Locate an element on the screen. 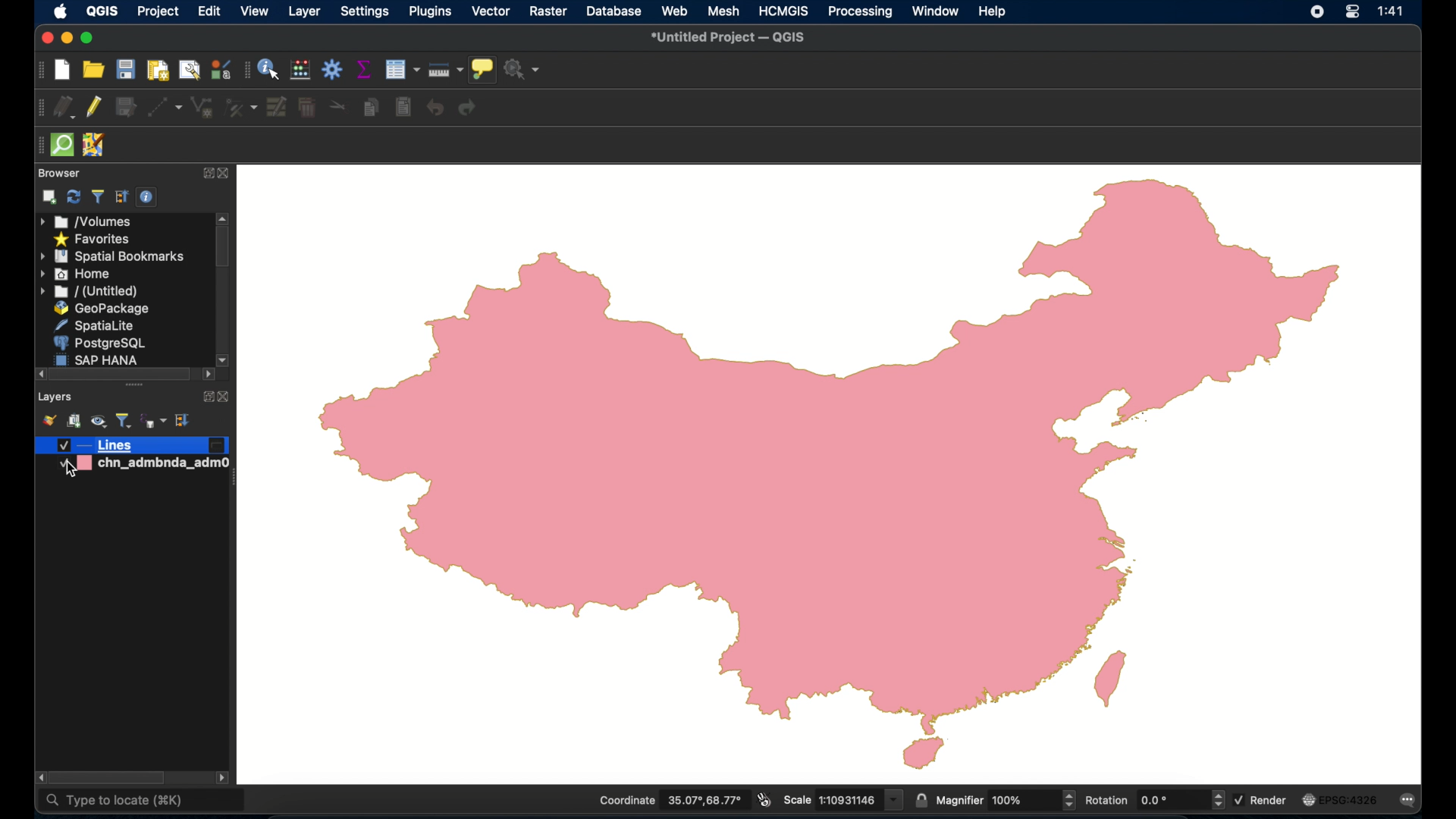 The image size is (1456, 819). geopackage is located at coordinates (105, 309).